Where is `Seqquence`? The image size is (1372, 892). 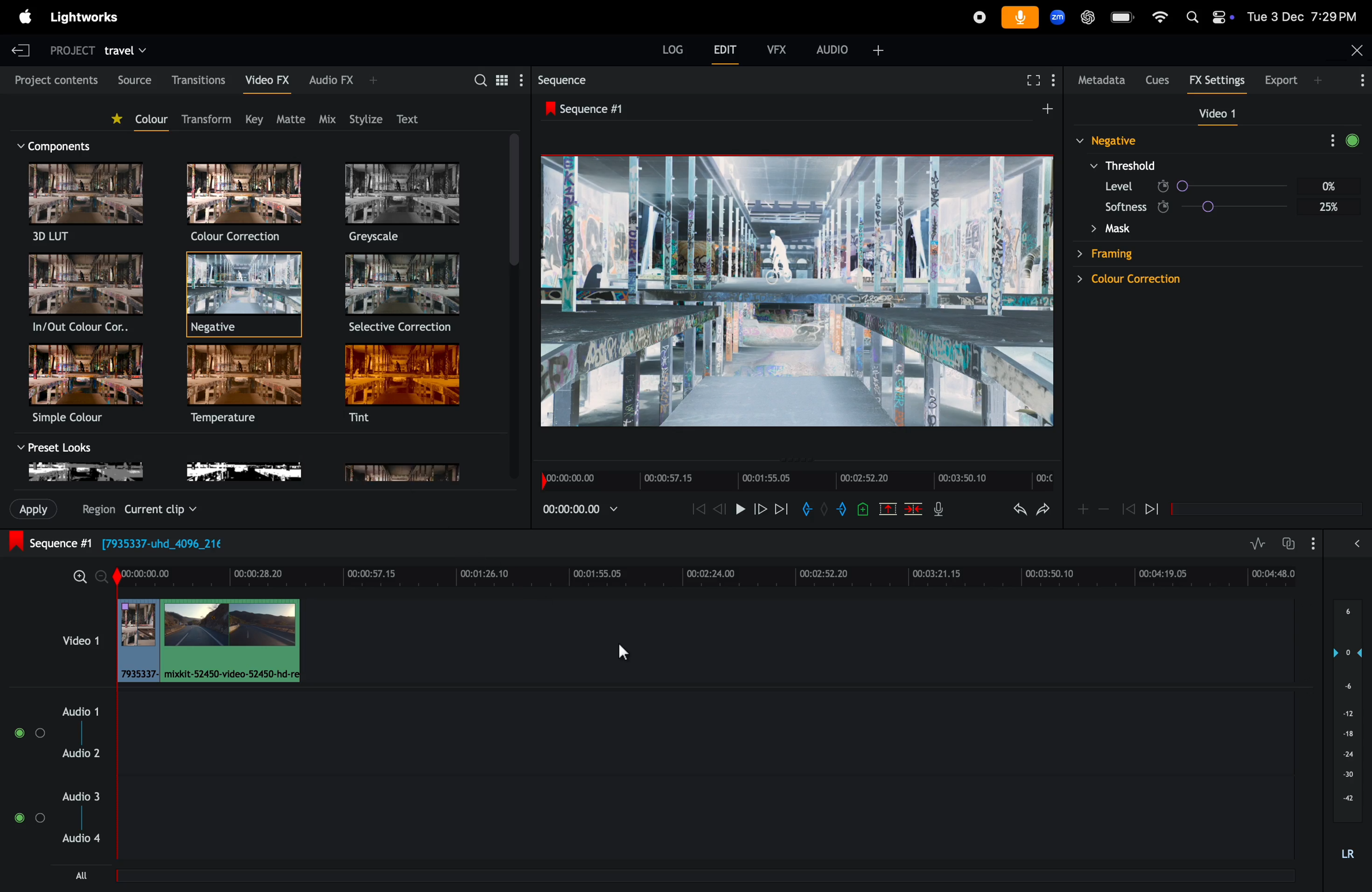
Seqquence is located at coordinates (576, 81).